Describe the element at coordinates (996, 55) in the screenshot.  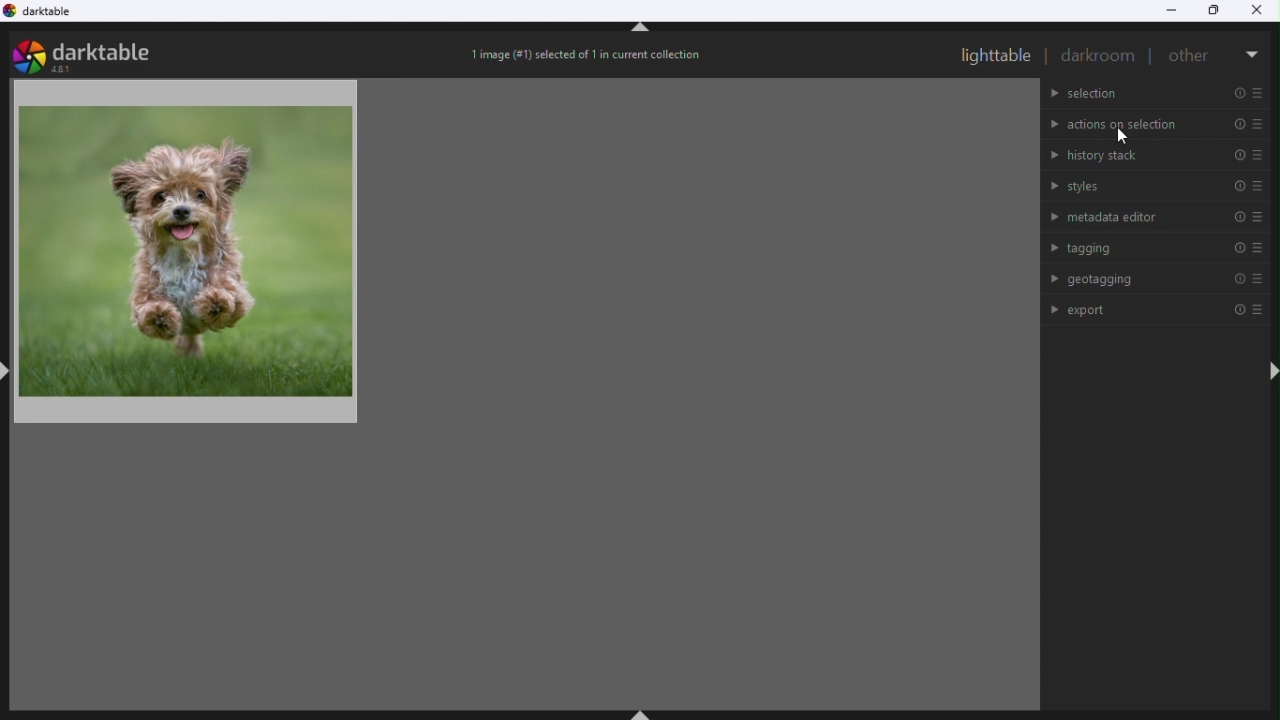
I see `Light table` at that location.